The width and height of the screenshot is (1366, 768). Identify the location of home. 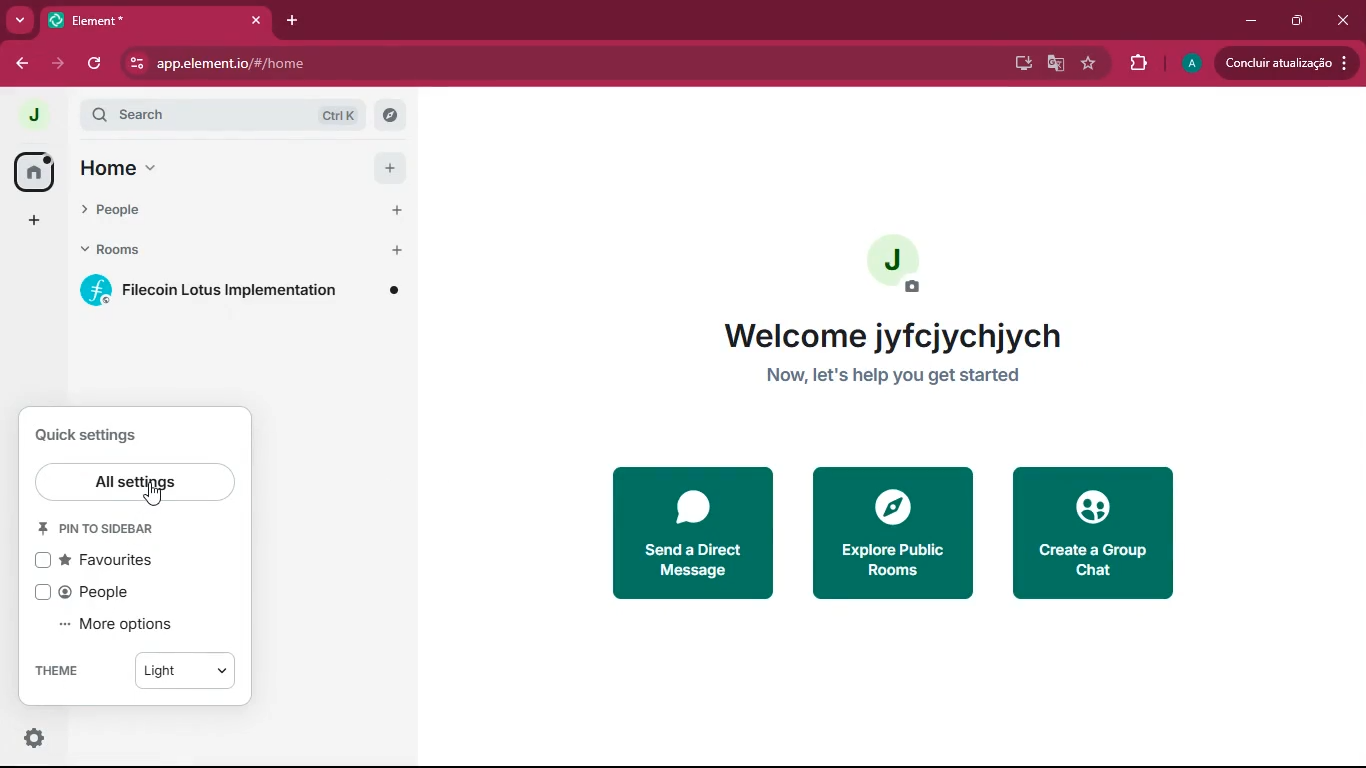
(207, 168).